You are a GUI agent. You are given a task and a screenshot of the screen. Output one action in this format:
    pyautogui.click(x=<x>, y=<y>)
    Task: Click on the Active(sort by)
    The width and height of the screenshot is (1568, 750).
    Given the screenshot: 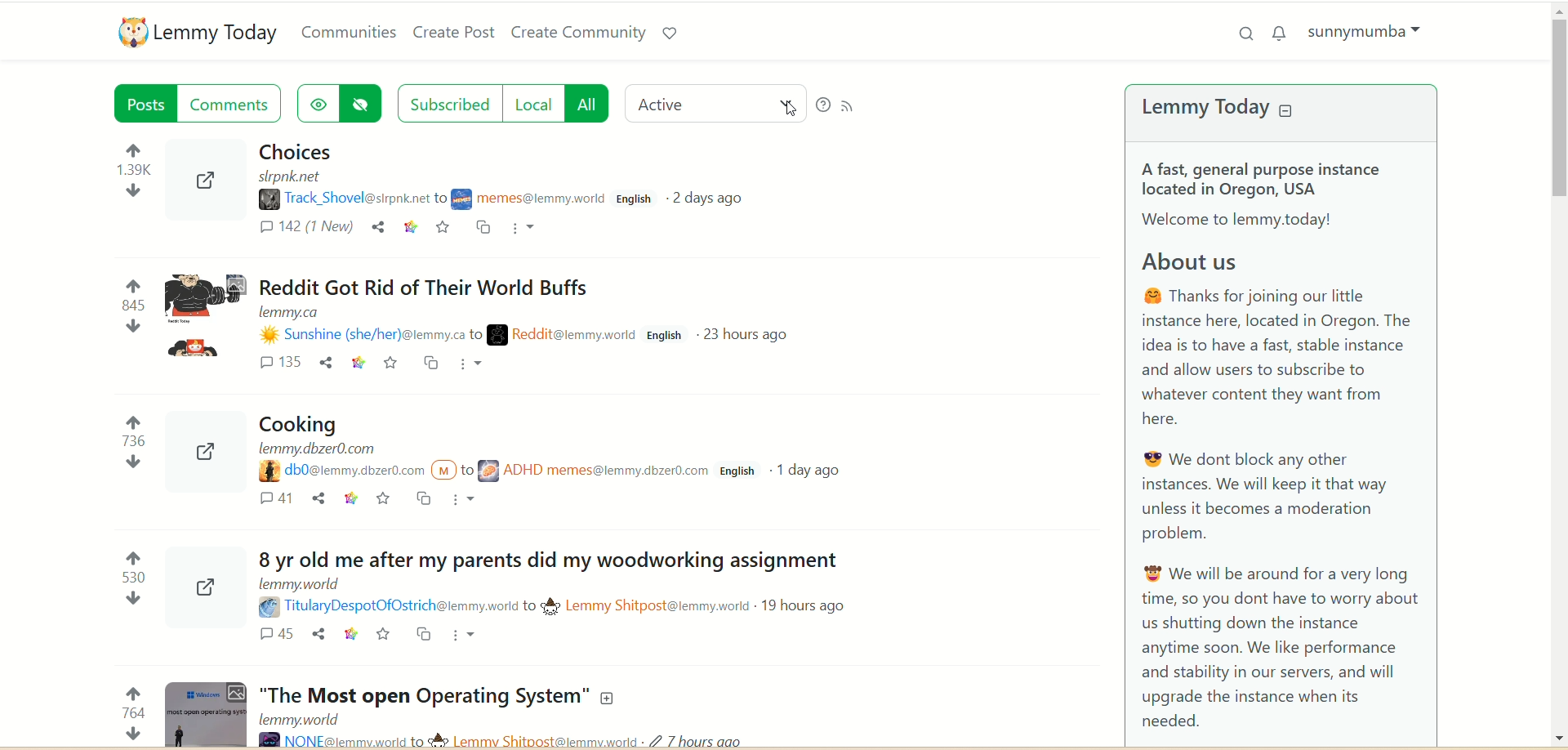 What is the action you would take?
    pyautogui.click(x=718, y=102)
    